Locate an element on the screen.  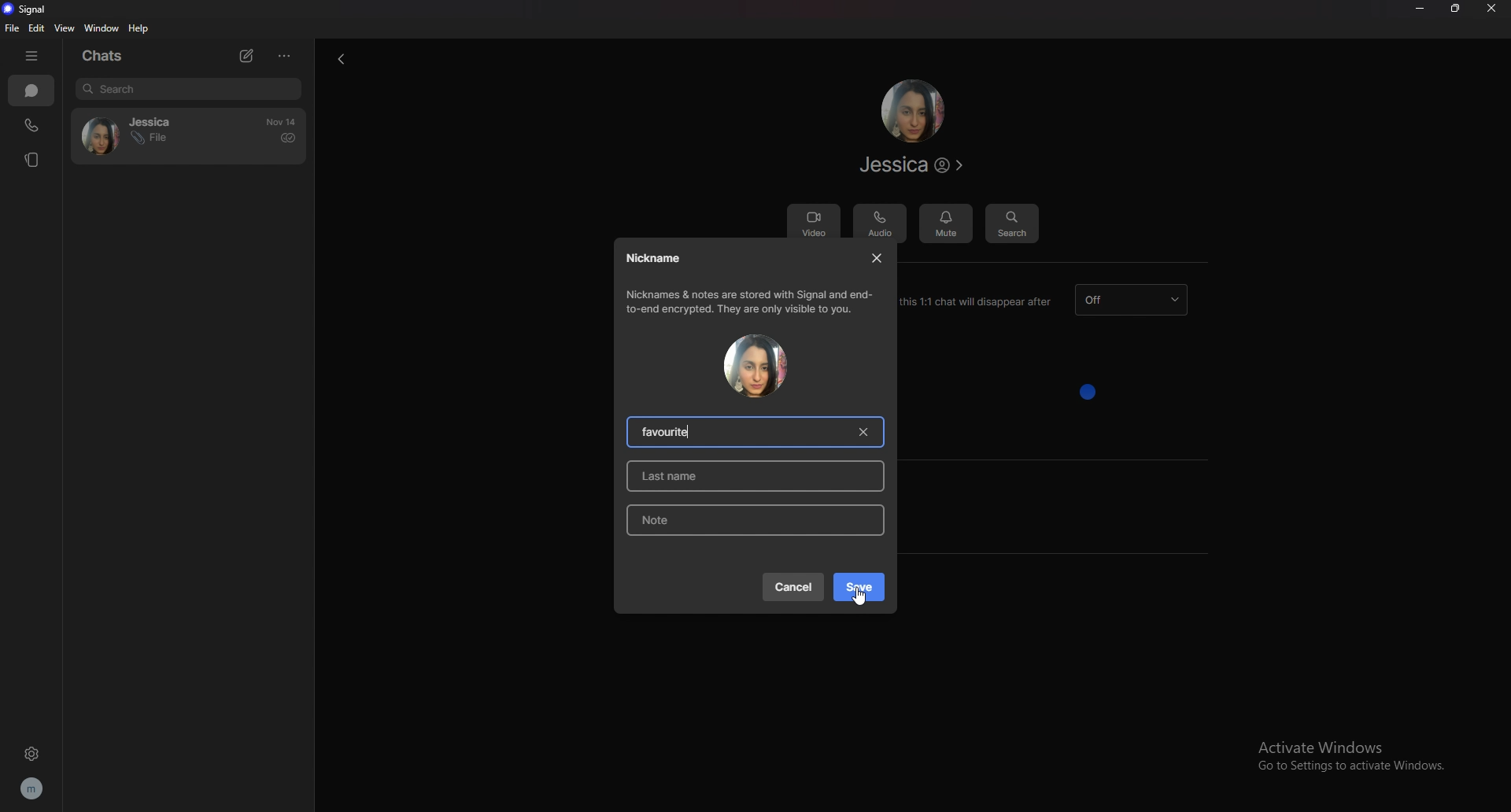
contact photo is located at coordinates (912, 110).